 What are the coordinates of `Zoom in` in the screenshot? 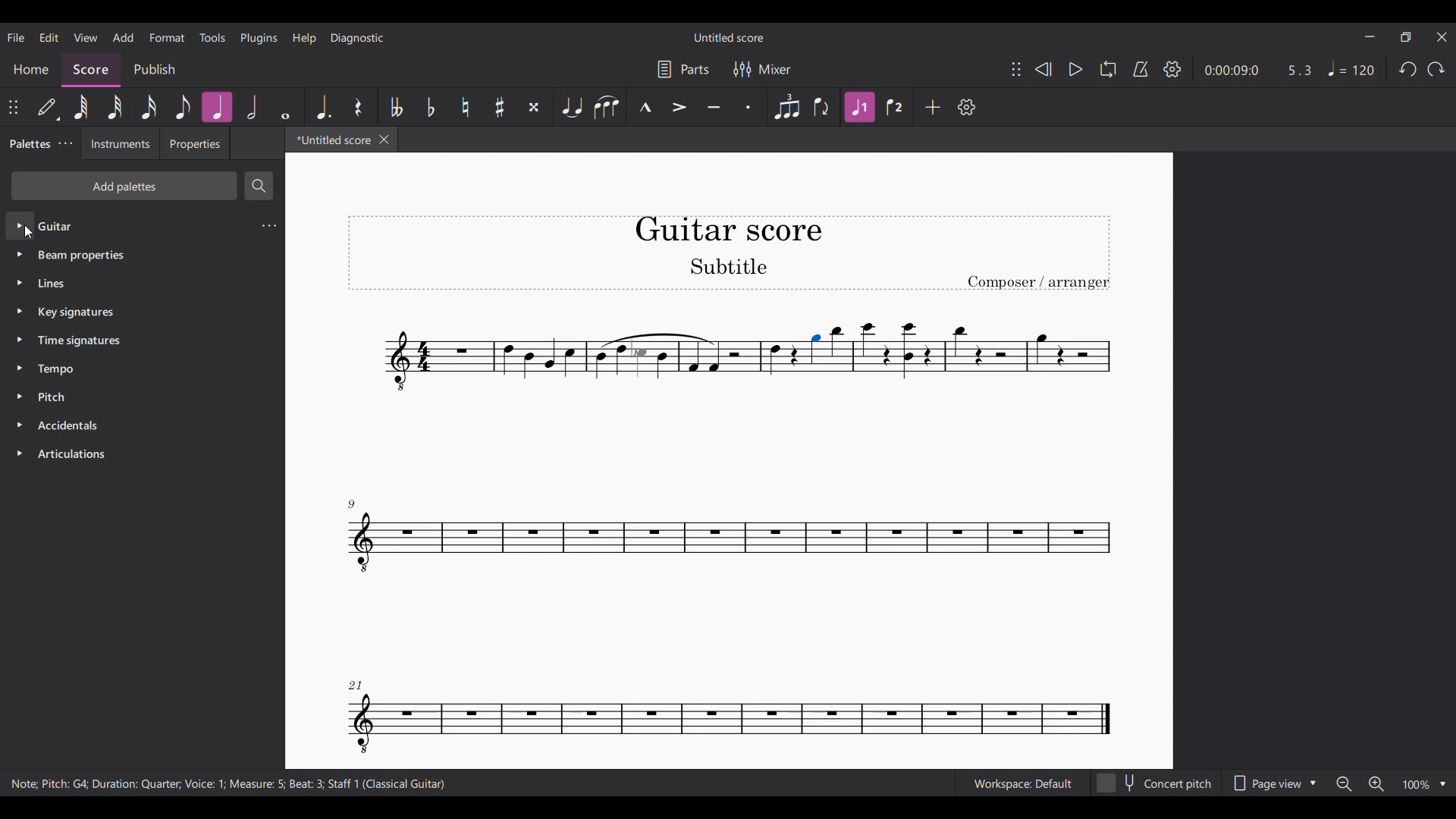 It's located at (1376, 784).